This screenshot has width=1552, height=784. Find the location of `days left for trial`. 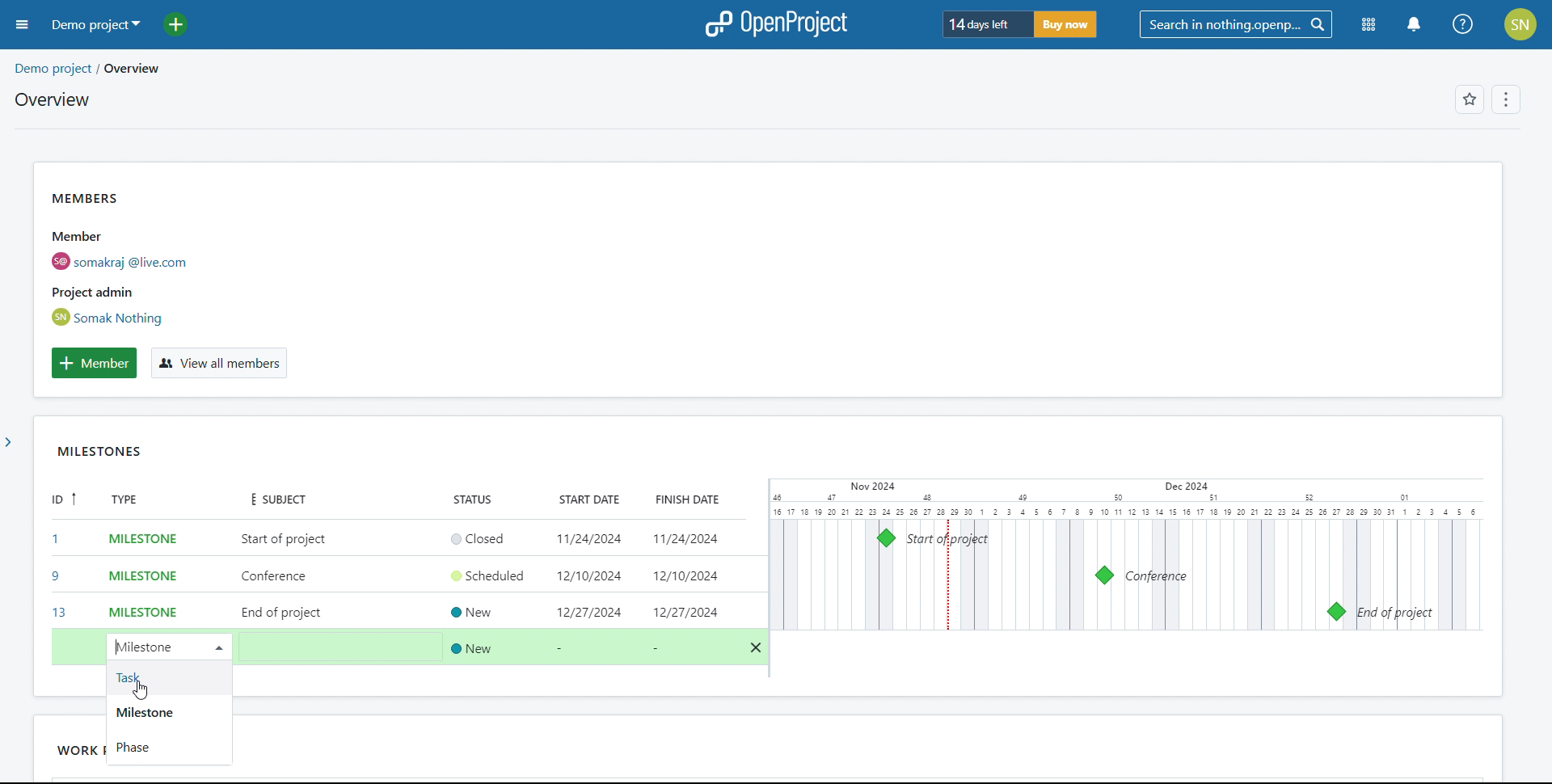

days left for trial is located at coordinates (985, 25).